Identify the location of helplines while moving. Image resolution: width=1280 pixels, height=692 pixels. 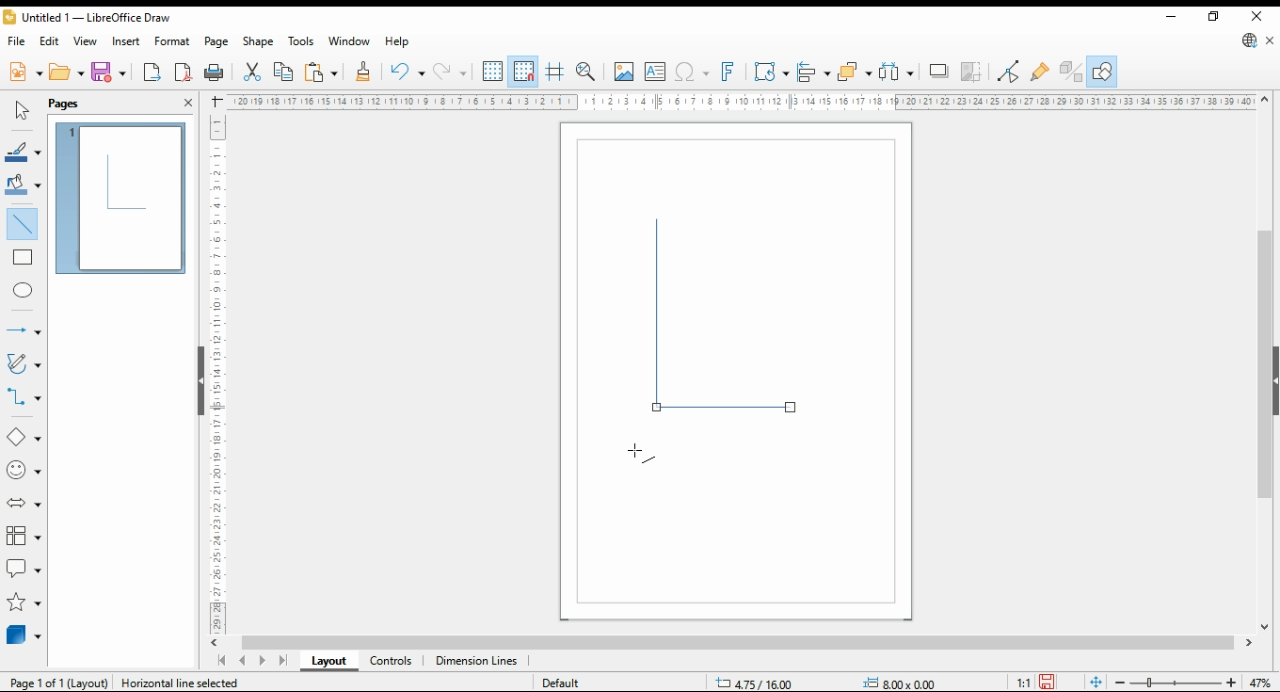
(554, 72).